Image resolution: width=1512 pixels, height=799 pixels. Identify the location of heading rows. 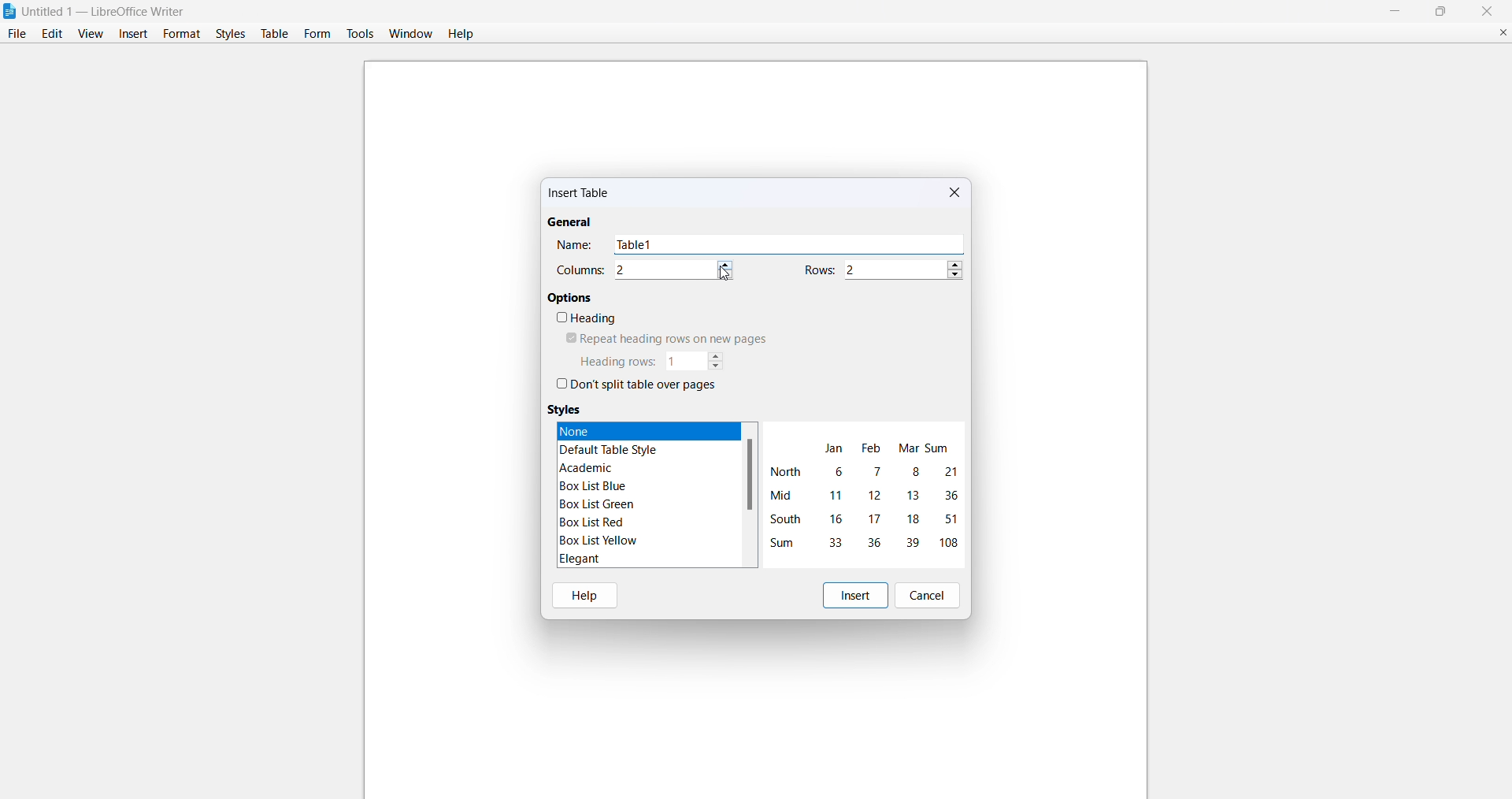
(616, 362).